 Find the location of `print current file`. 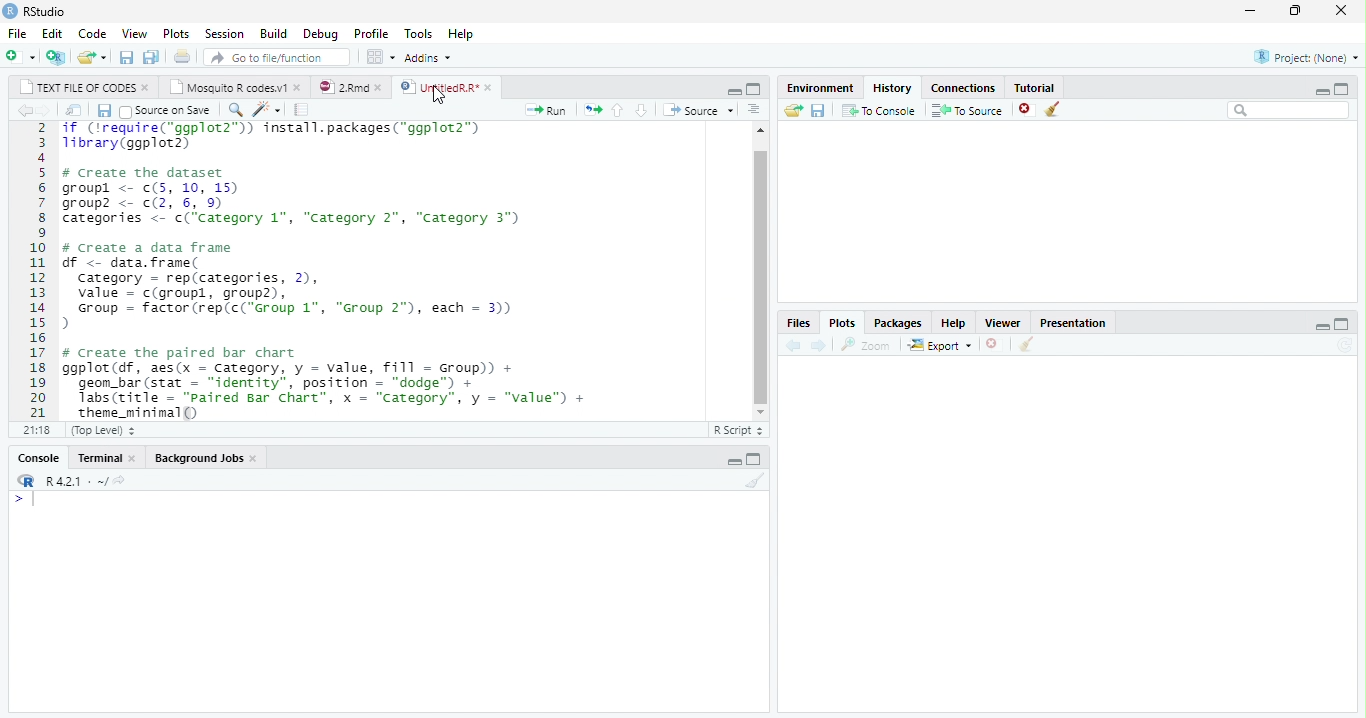

print current file is located at coordinates (185, 57).